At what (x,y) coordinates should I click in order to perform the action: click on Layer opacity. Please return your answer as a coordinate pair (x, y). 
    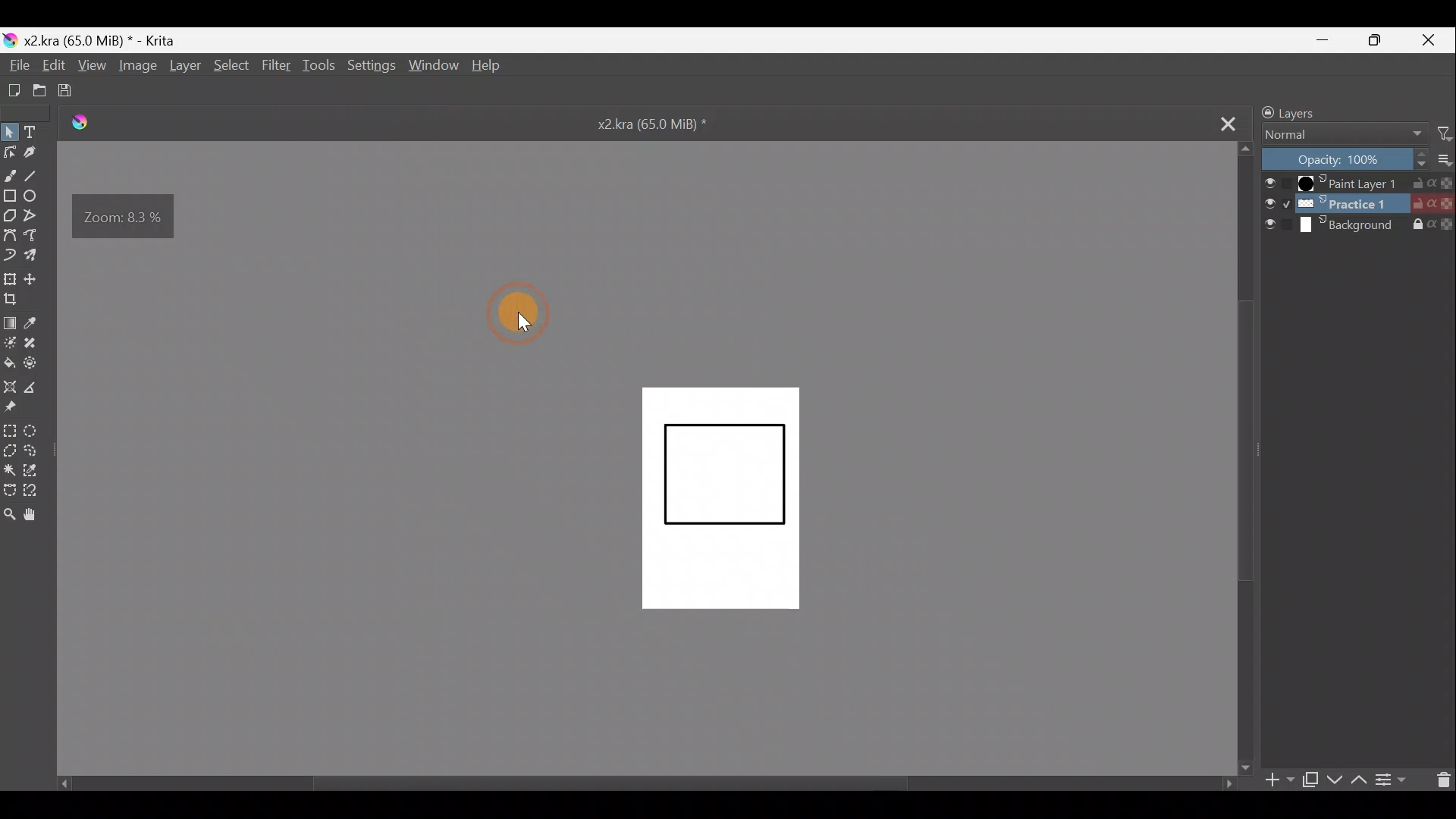
    Looking at the image, I should click on (1346, 160).